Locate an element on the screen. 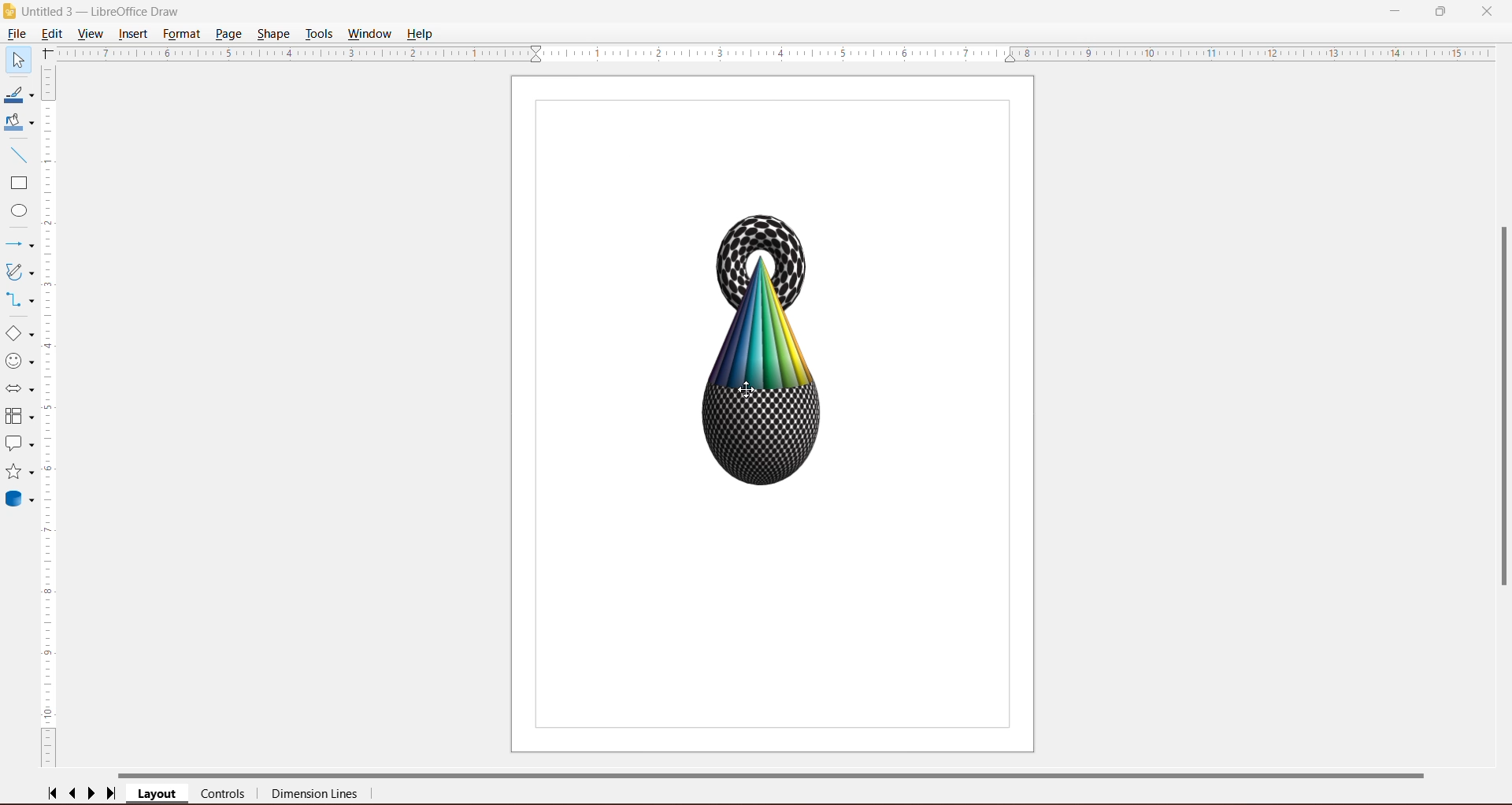 The width and height of the screenshot is (1512, 805). Insert Line is located at coordinates (19, 154).